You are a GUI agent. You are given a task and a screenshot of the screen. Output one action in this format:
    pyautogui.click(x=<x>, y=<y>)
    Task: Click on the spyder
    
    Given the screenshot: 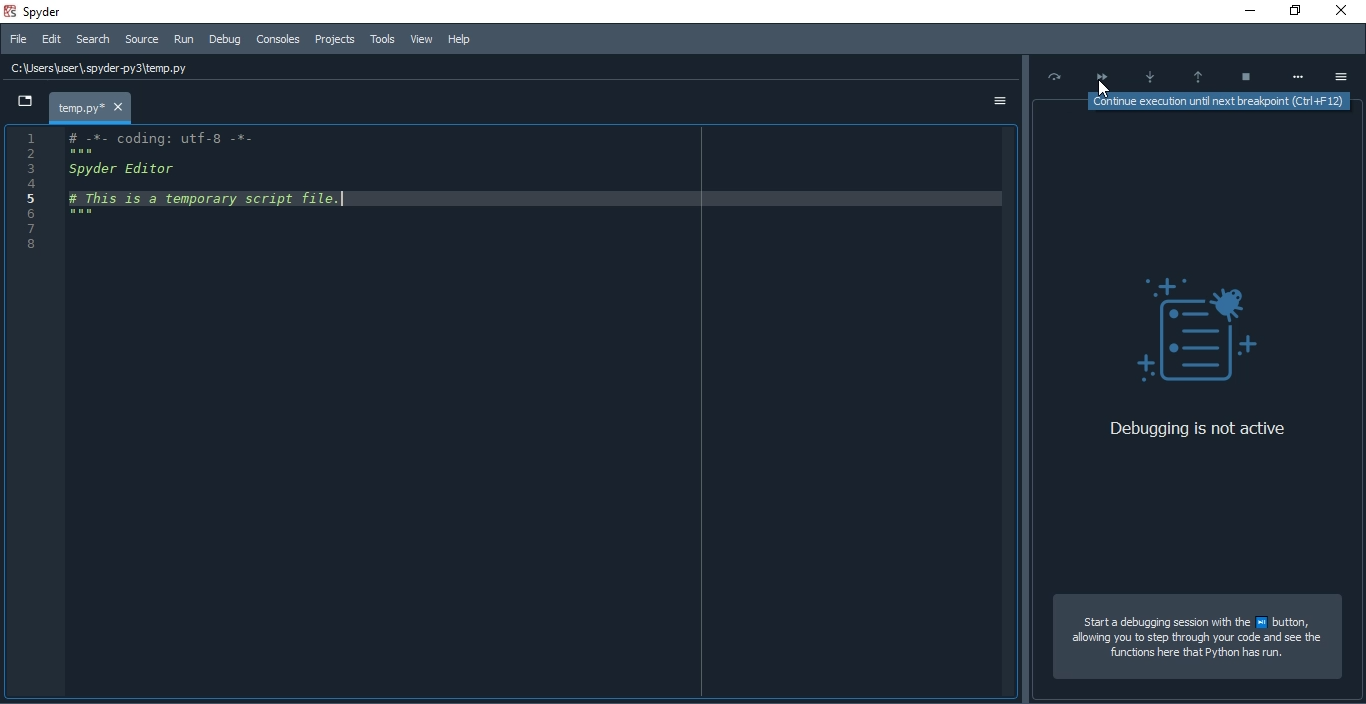 What is the action you would take?
    pyautogui.click(x=53, y=10)
    